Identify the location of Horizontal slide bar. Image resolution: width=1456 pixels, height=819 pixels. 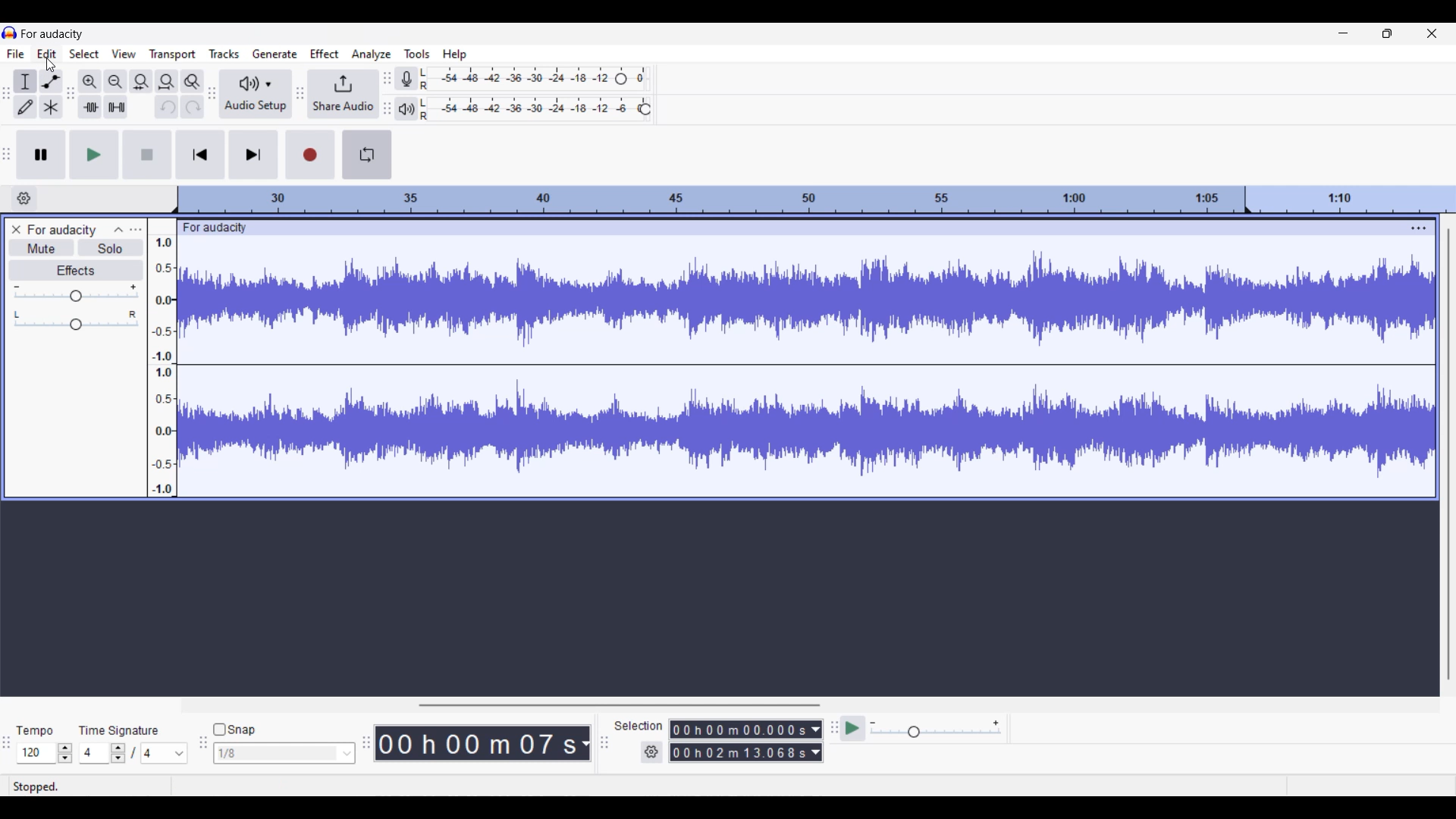
(619, 701).